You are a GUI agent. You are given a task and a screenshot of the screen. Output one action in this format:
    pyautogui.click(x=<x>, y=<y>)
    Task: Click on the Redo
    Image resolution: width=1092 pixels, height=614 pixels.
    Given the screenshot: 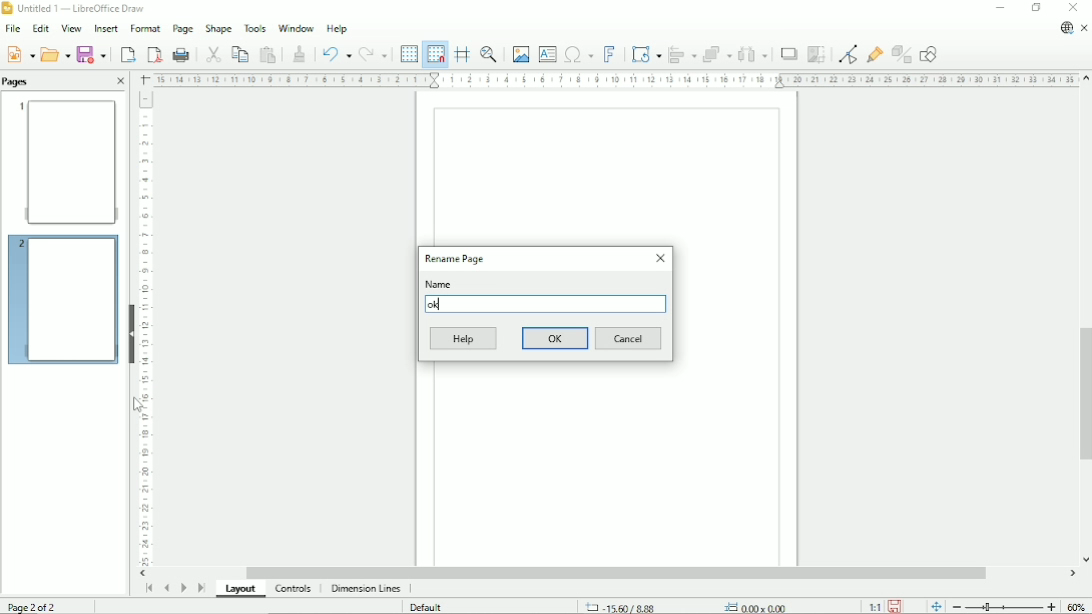 What is the action you would take?
    pyautogui.click(x=373, y=55)
    